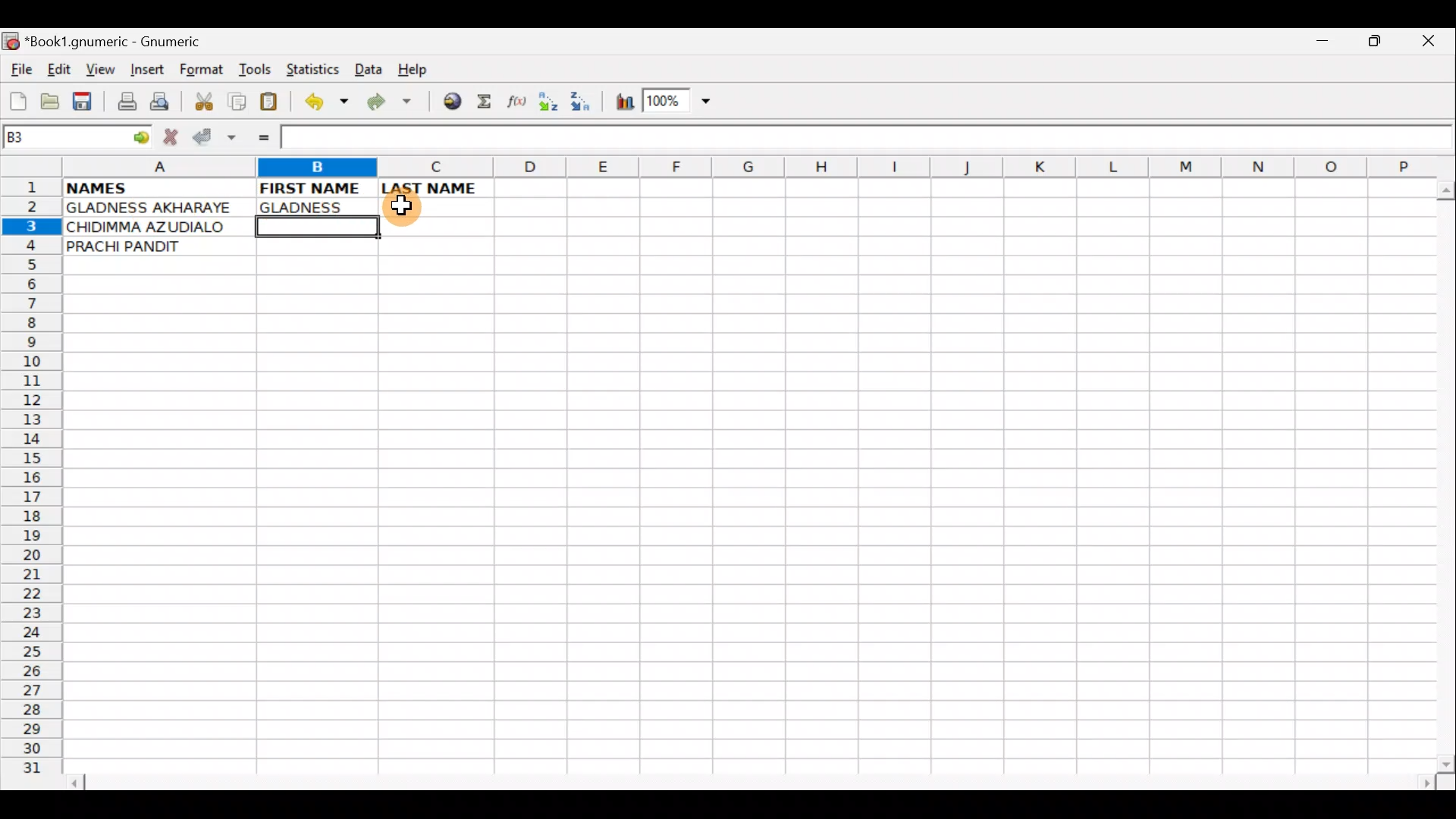 The height and width of the screenshot is (819, 1456). I want to click on Maximize, so click(1377, 44).